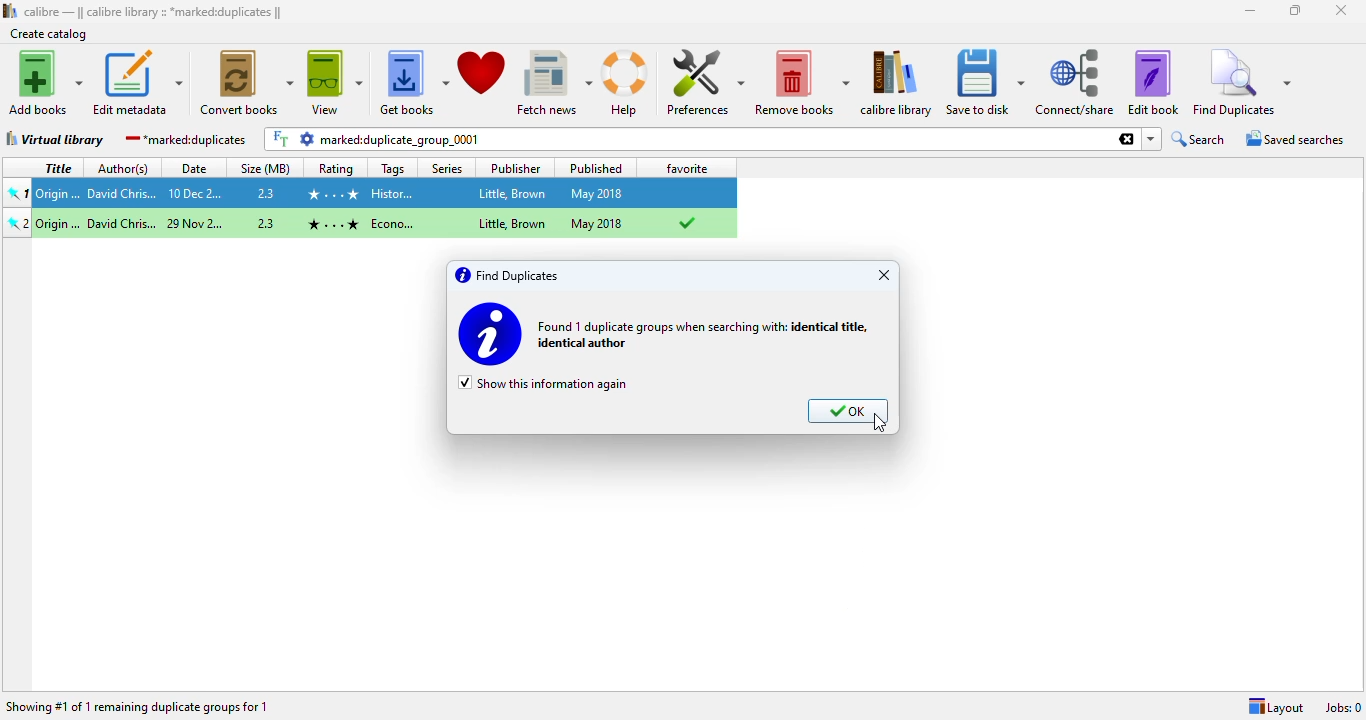 This screenshot has height=720, width=1366. What do you see at coordinates (185, 139) in the screenshot?
I see `marked:duplicates` at bounding box center [185, 139].